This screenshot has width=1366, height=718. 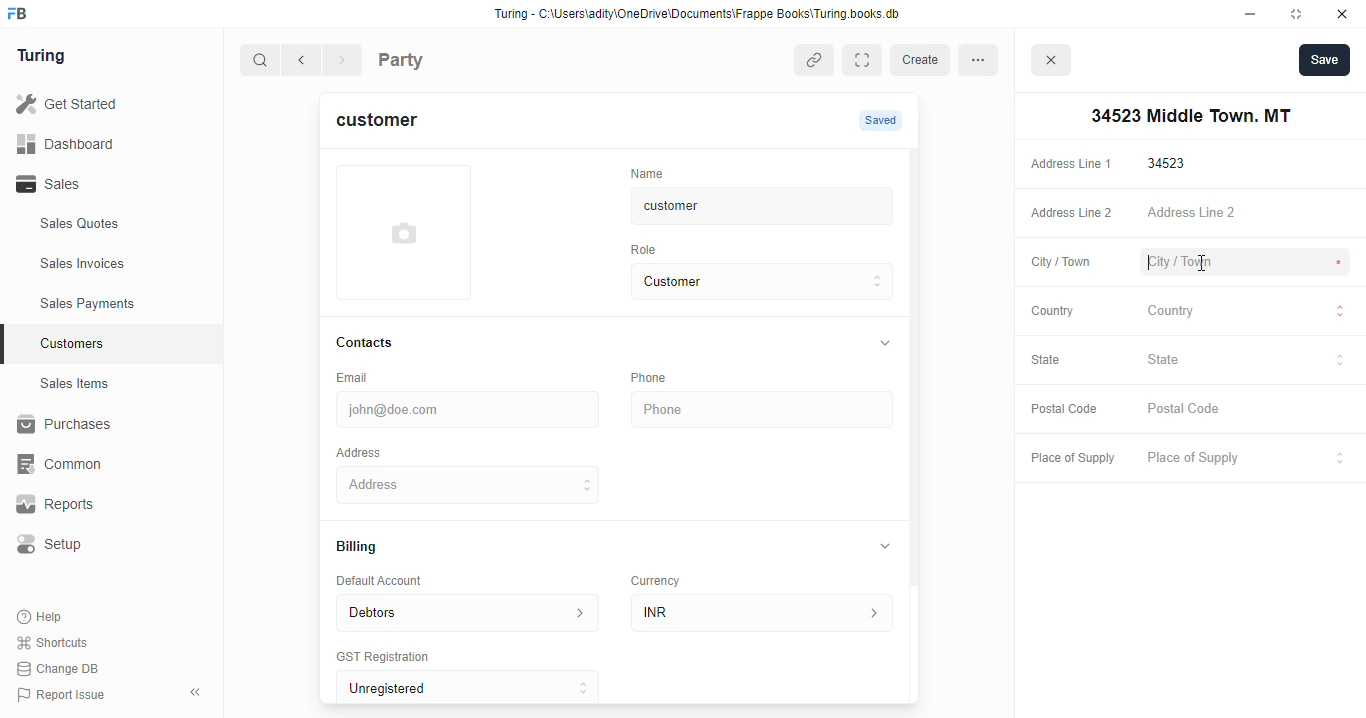 I want to click on Email, so click(x=356, y=376).